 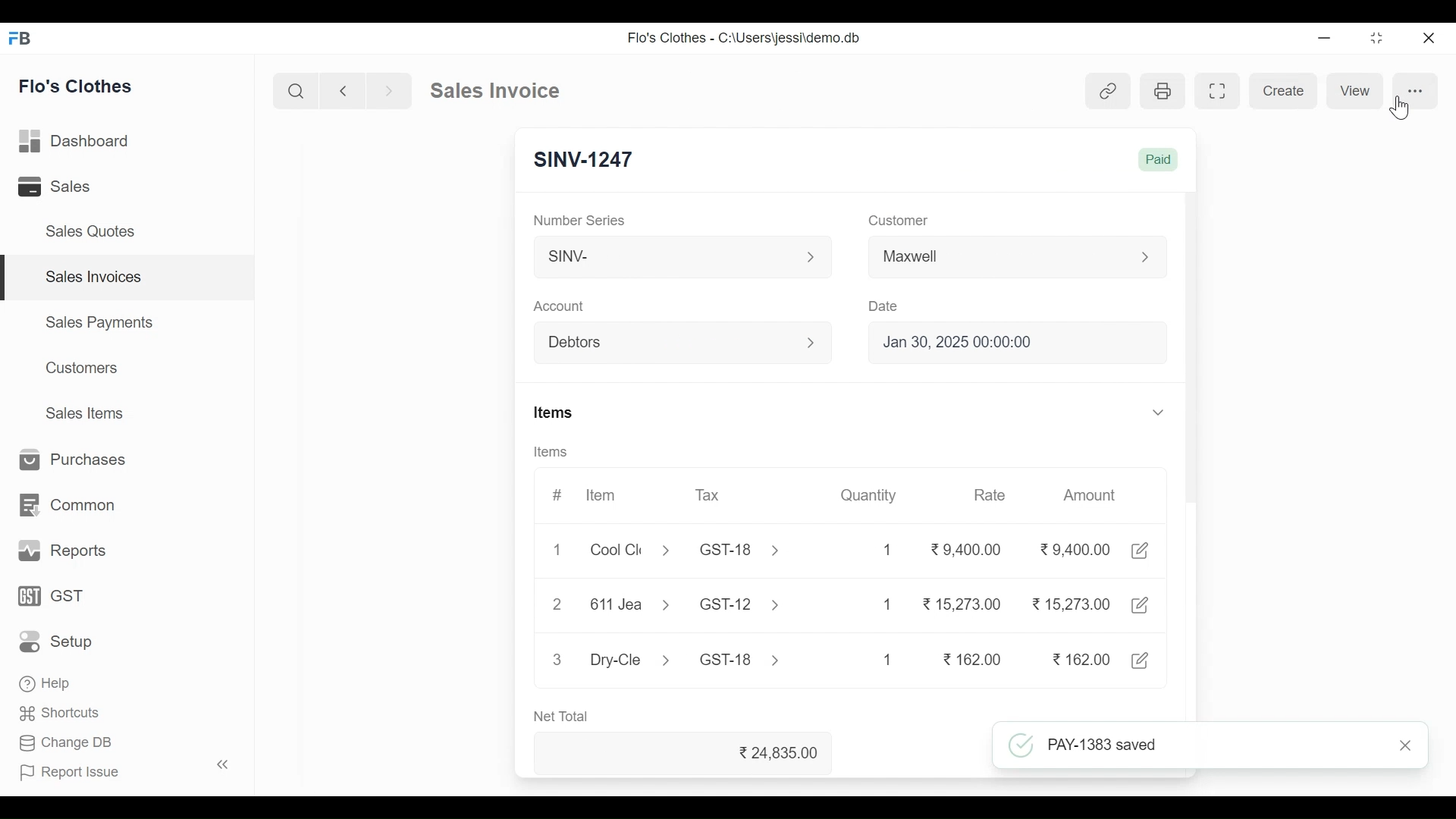 I want to click on Expand, so click(x=1159, y=412).